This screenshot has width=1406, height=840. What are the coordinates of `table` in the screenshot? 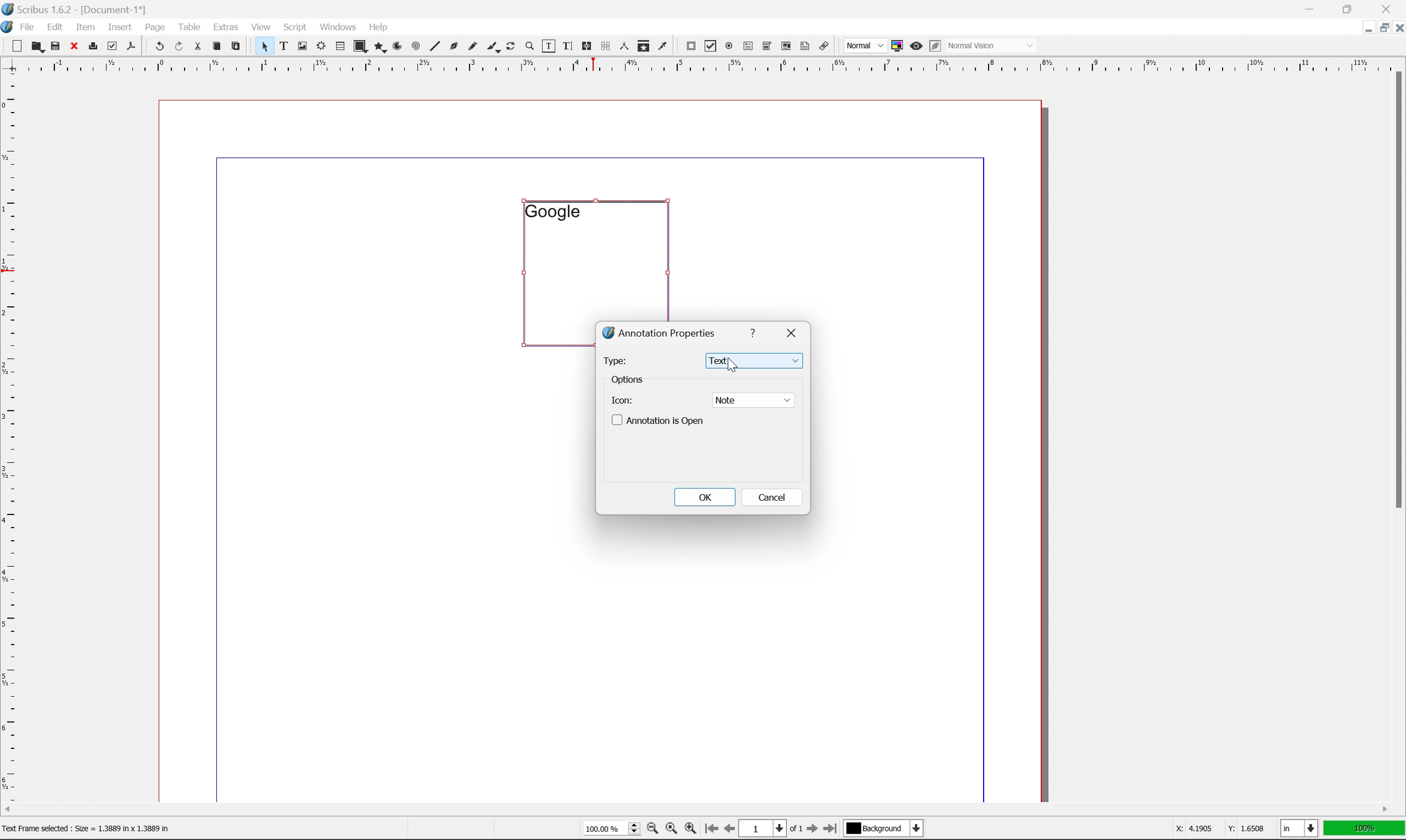 It's located at (340, 47).